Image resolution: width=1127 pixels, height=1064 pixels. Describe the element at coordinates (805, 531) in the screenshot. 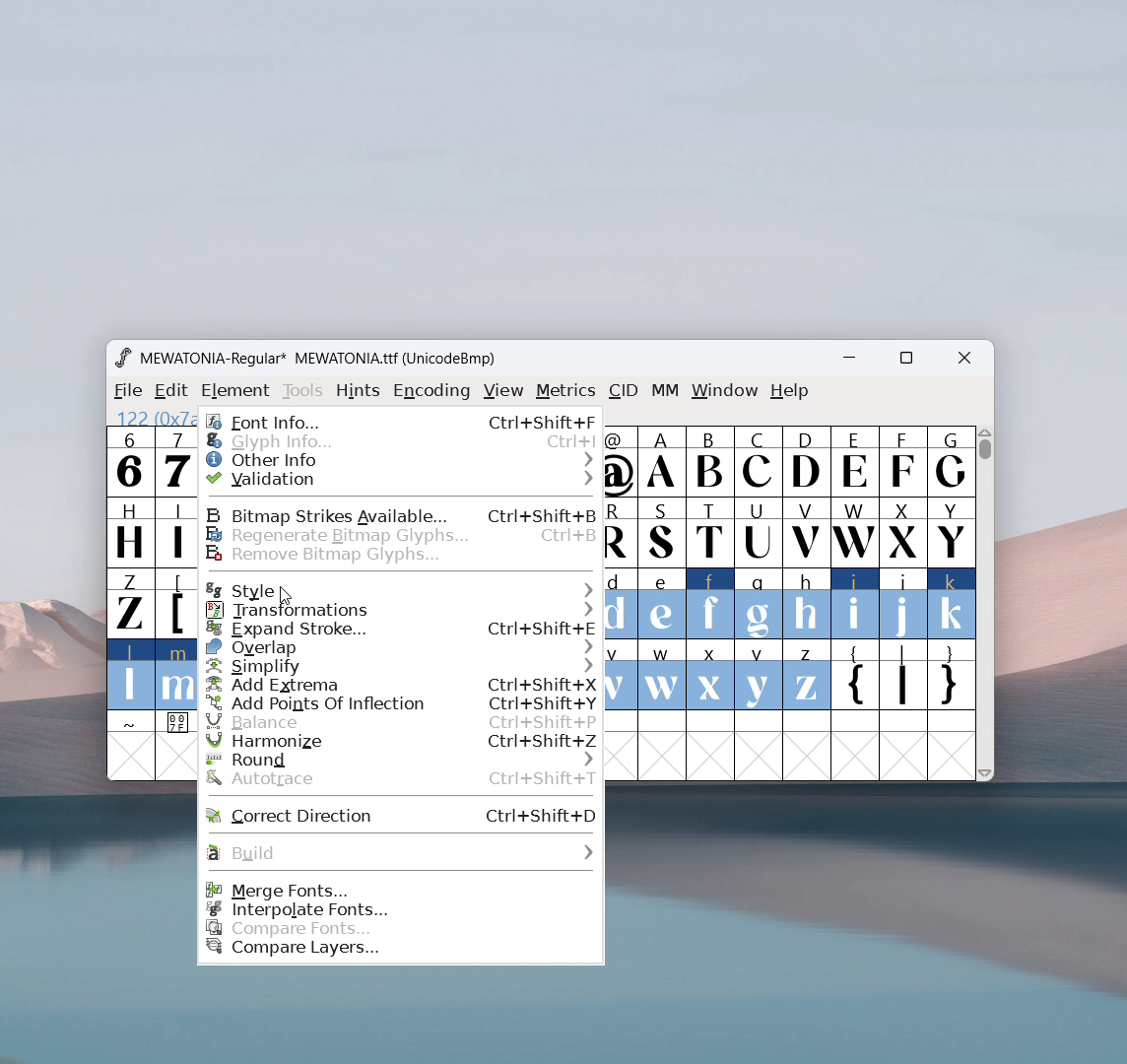

I see `V` at that location.